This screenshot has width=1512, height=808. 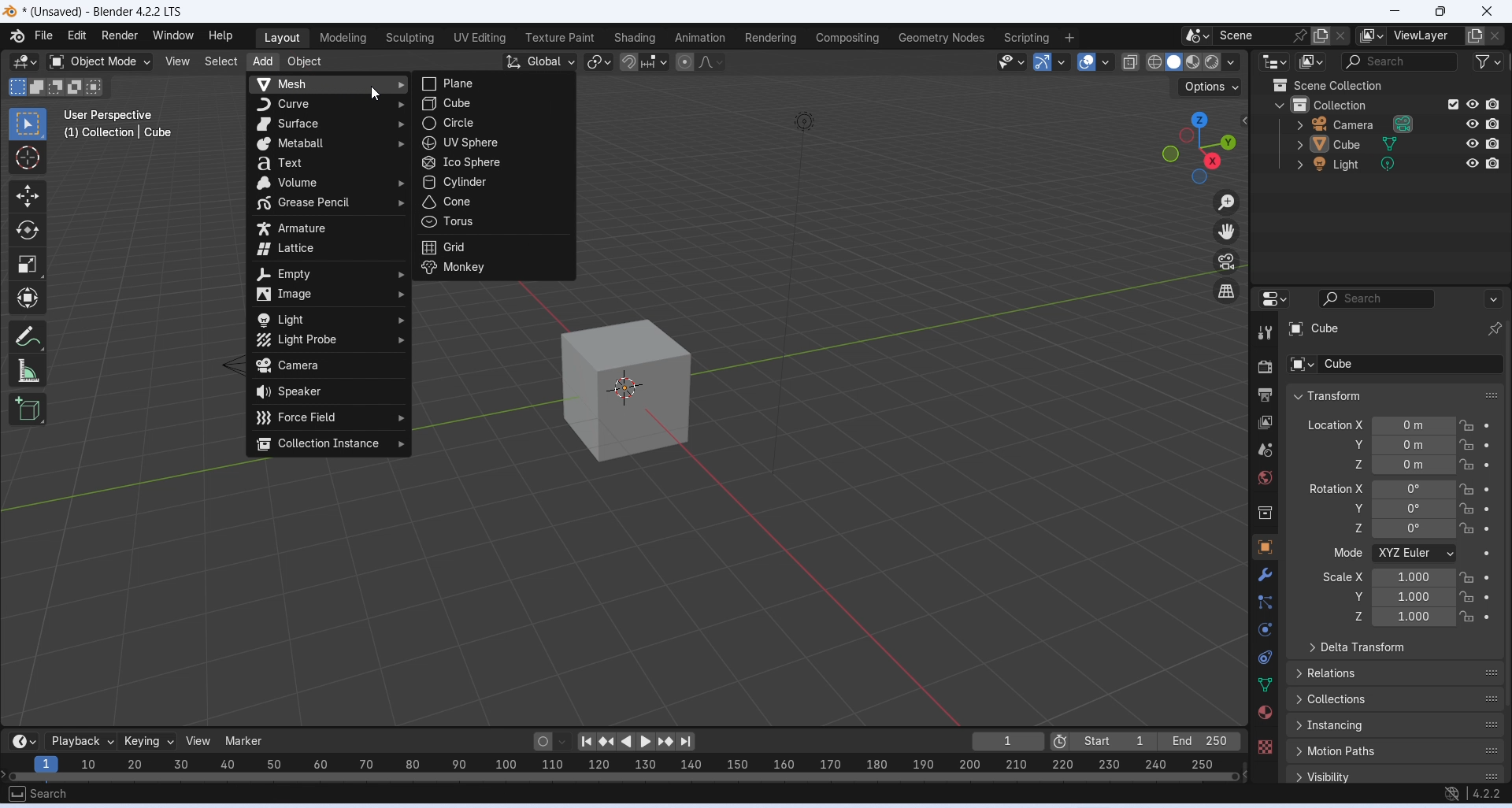 What do you see at coordinates (329, 228) in the screenshot?
I see `armature` at bounding box center [329, 228].